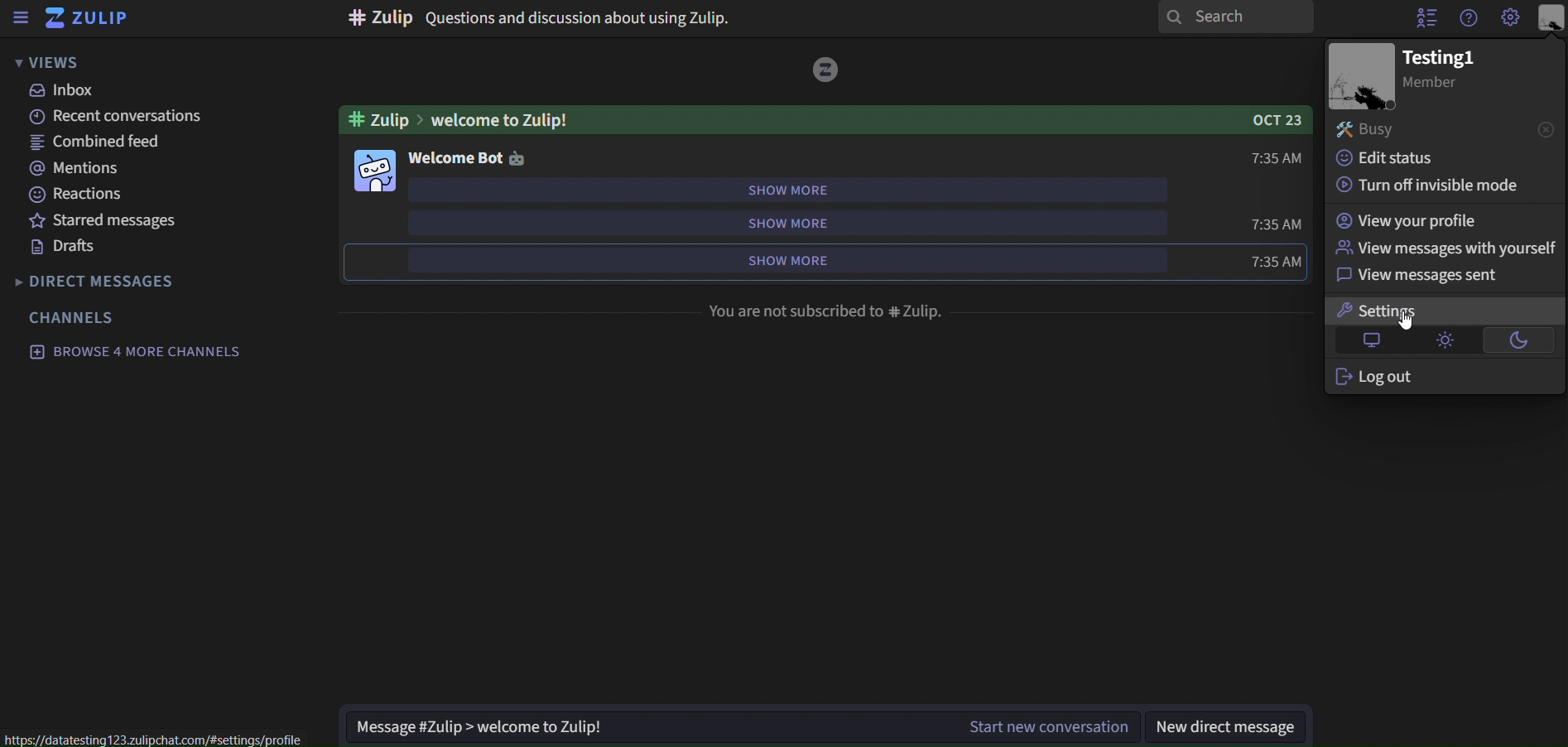 This screenshot has height=747, width=1568. What do you see at coordinates (69, 91) in the screenshot?
I see `inbox` at bounding box center [69, 91].